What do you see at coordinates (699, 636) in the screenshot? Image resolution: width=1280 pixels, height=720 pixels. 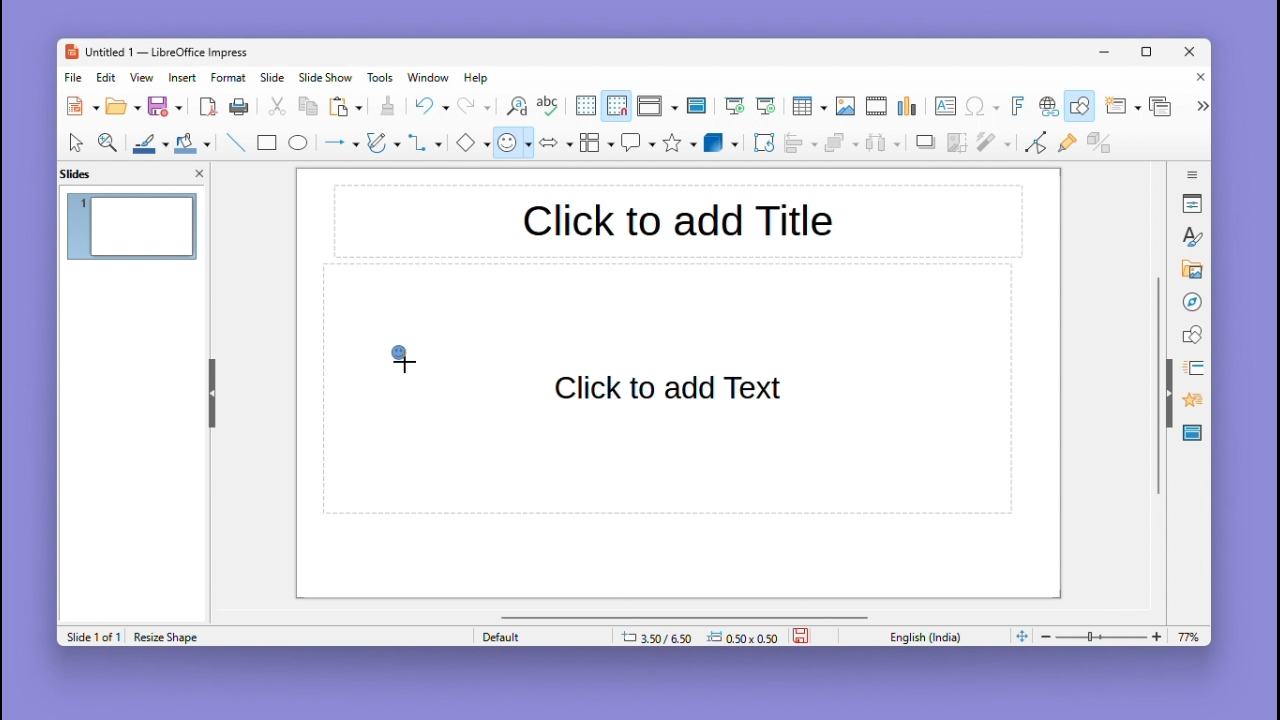 I see `dimensions` at bounding box center [699, 636].